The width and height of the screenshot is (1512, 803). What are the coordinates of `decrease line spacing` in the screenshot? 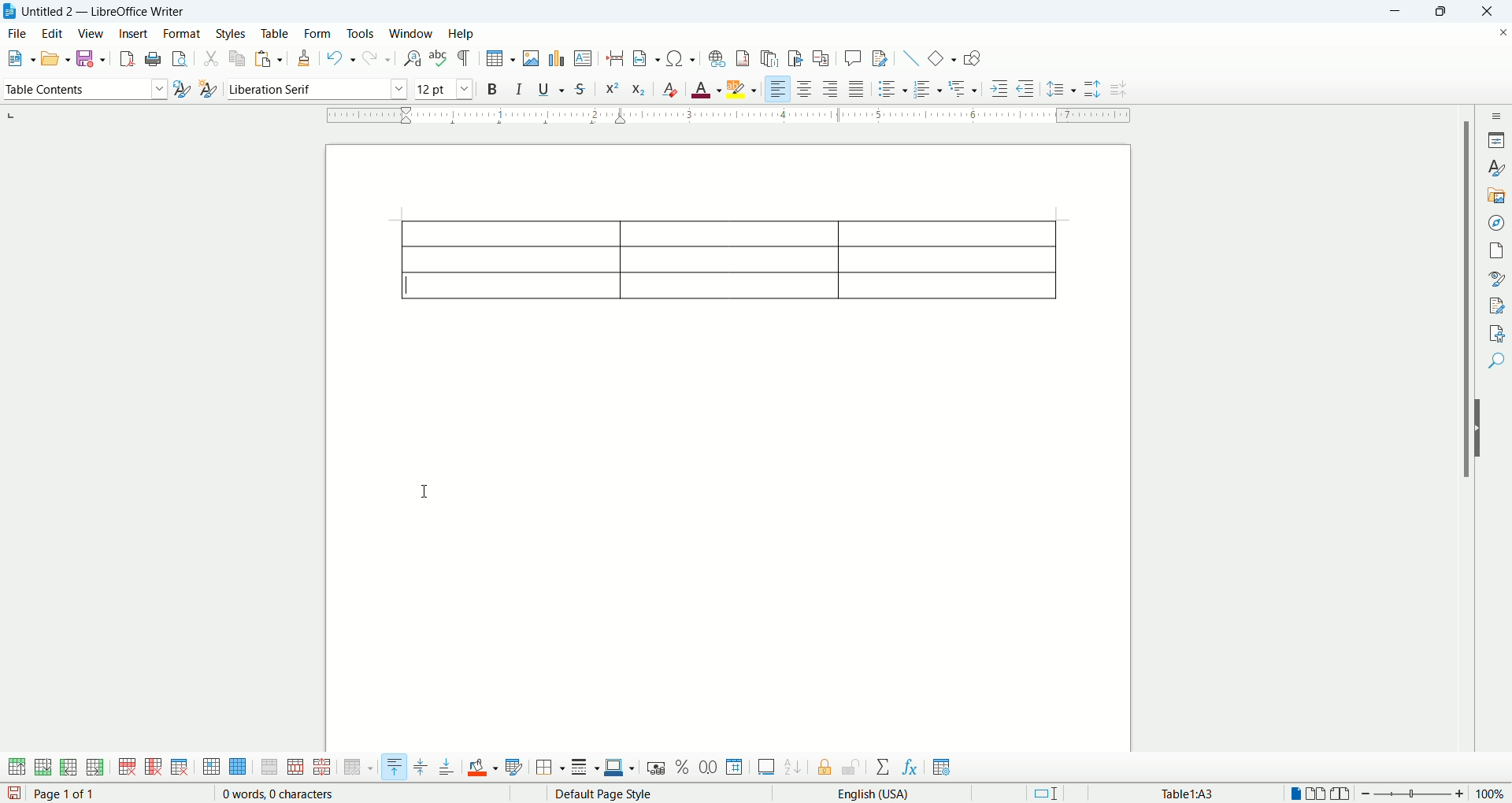 It's located at (1121, 92).